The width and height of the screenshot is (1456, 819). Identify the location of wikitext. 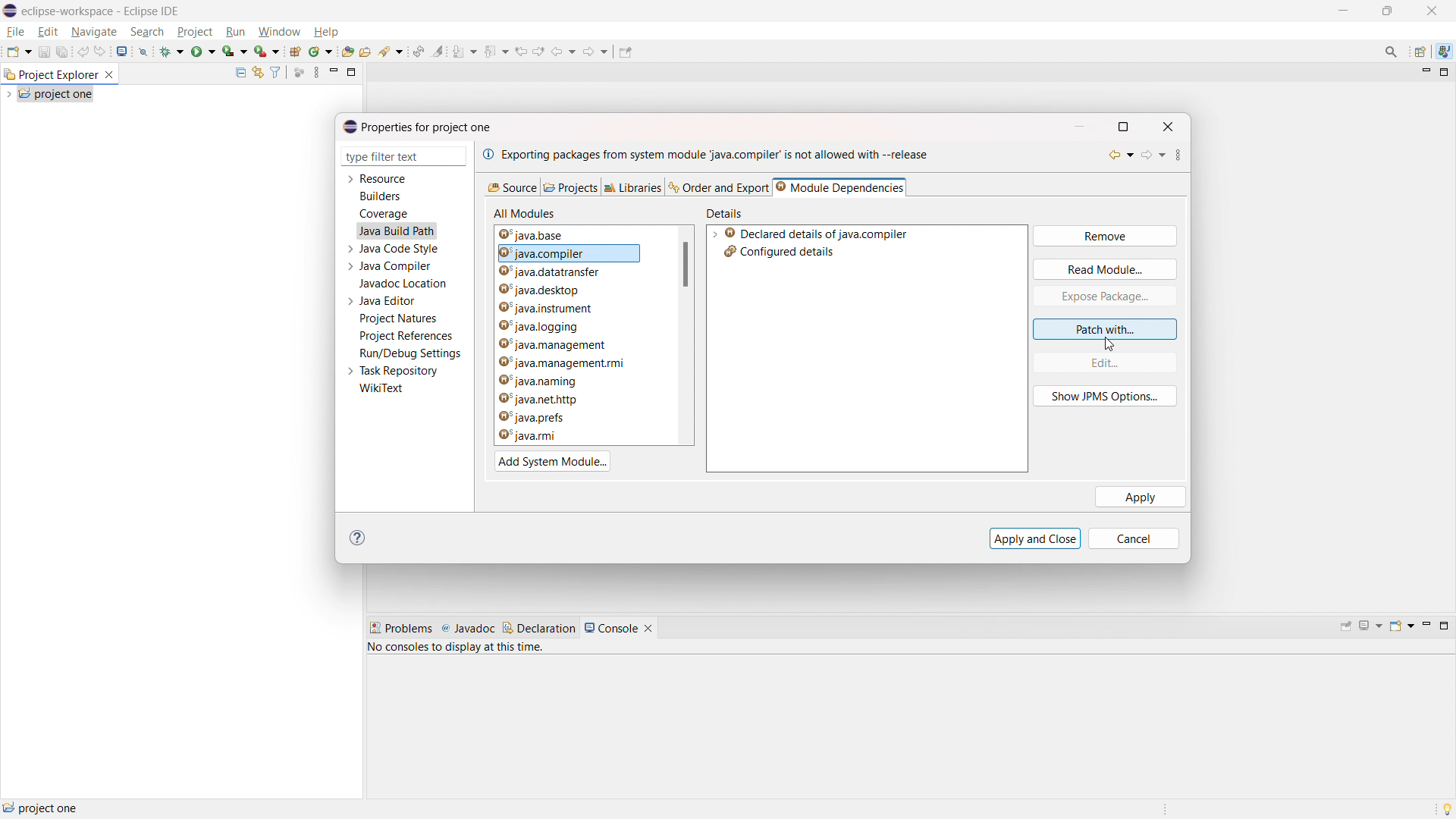
(382, 389).